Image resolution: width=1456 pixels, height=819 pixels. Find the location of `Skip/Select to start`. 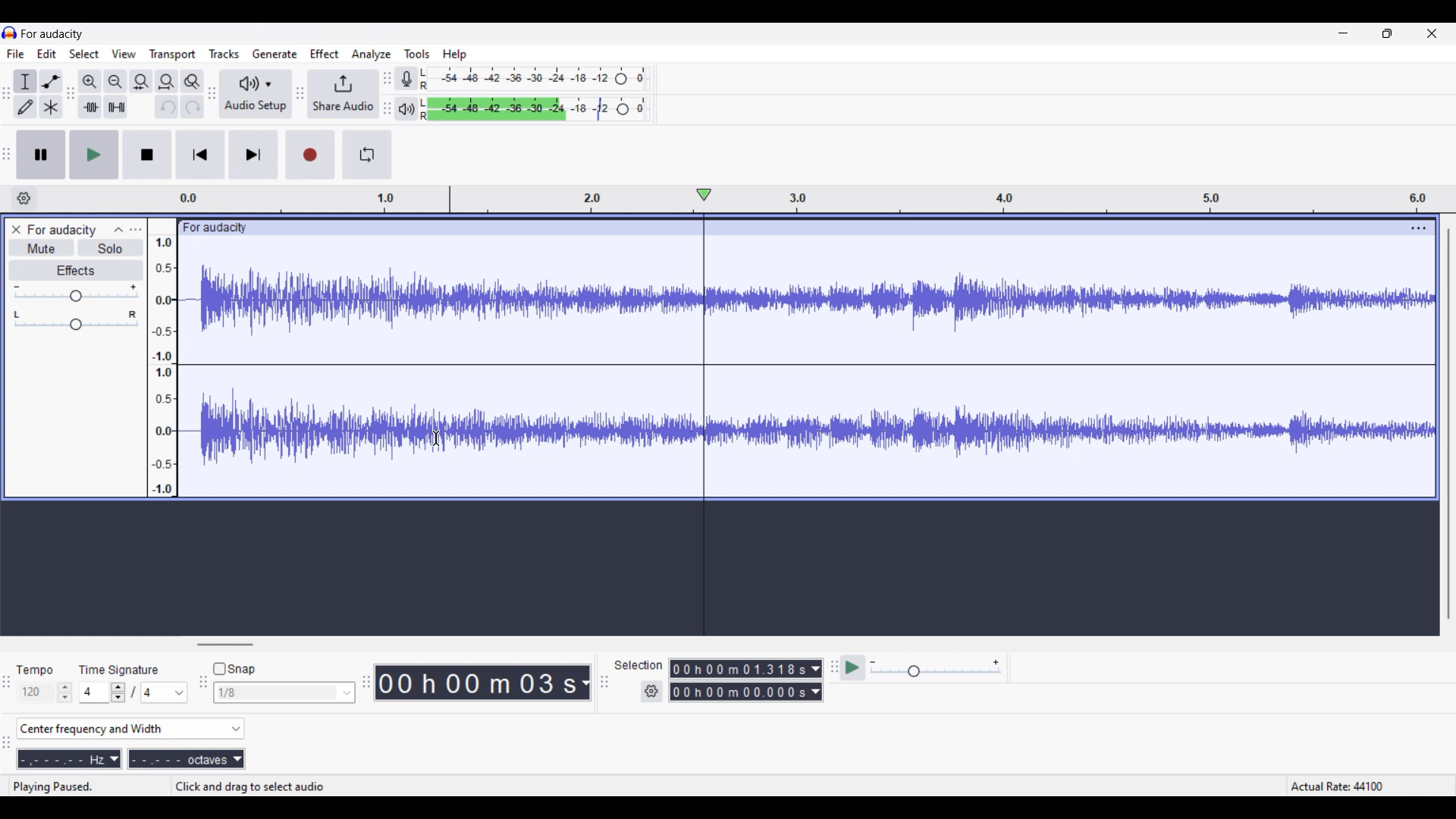

Skip/Select to start is located at coordinates (201, 155).